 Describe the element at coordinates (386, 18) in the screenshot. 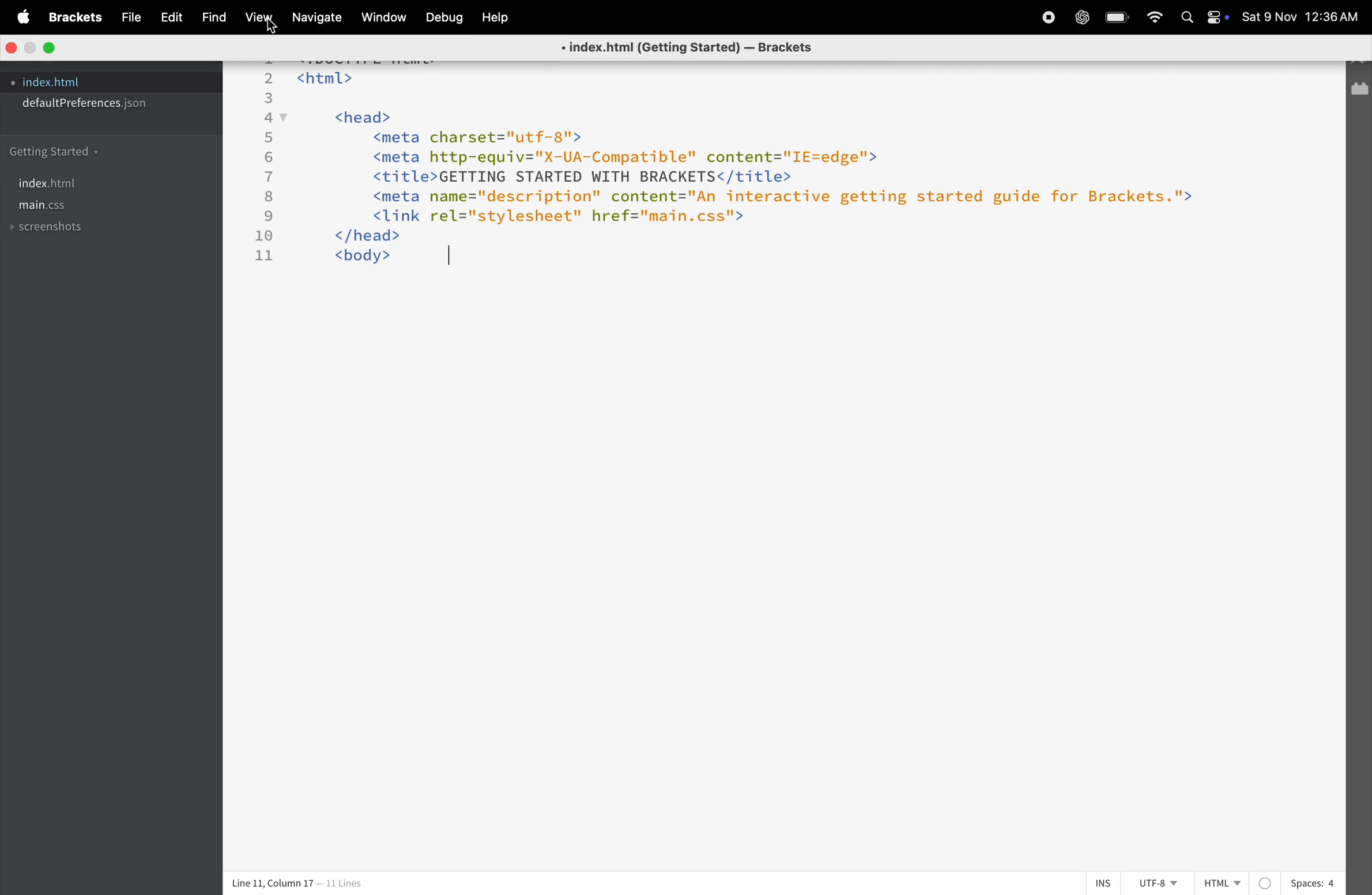

I see `window` at that location.